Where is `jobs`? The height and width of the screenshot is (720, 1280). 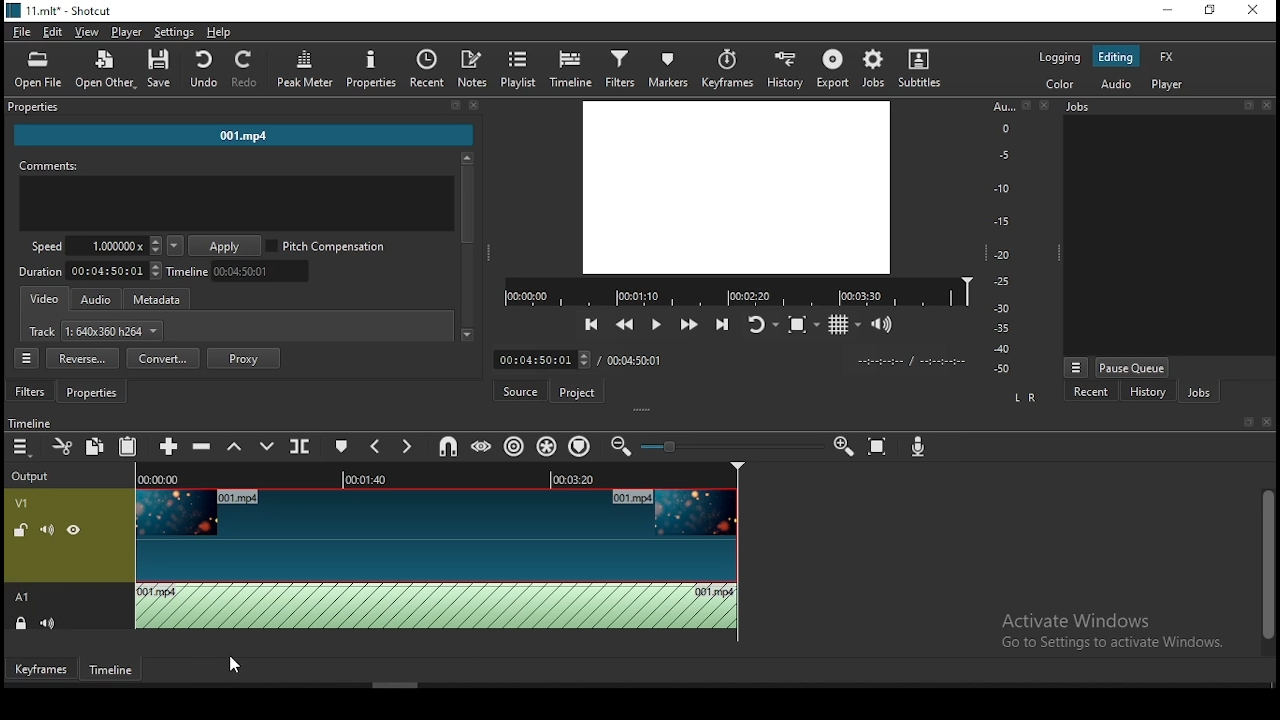
jobs is located at coordinates (1169, 106).